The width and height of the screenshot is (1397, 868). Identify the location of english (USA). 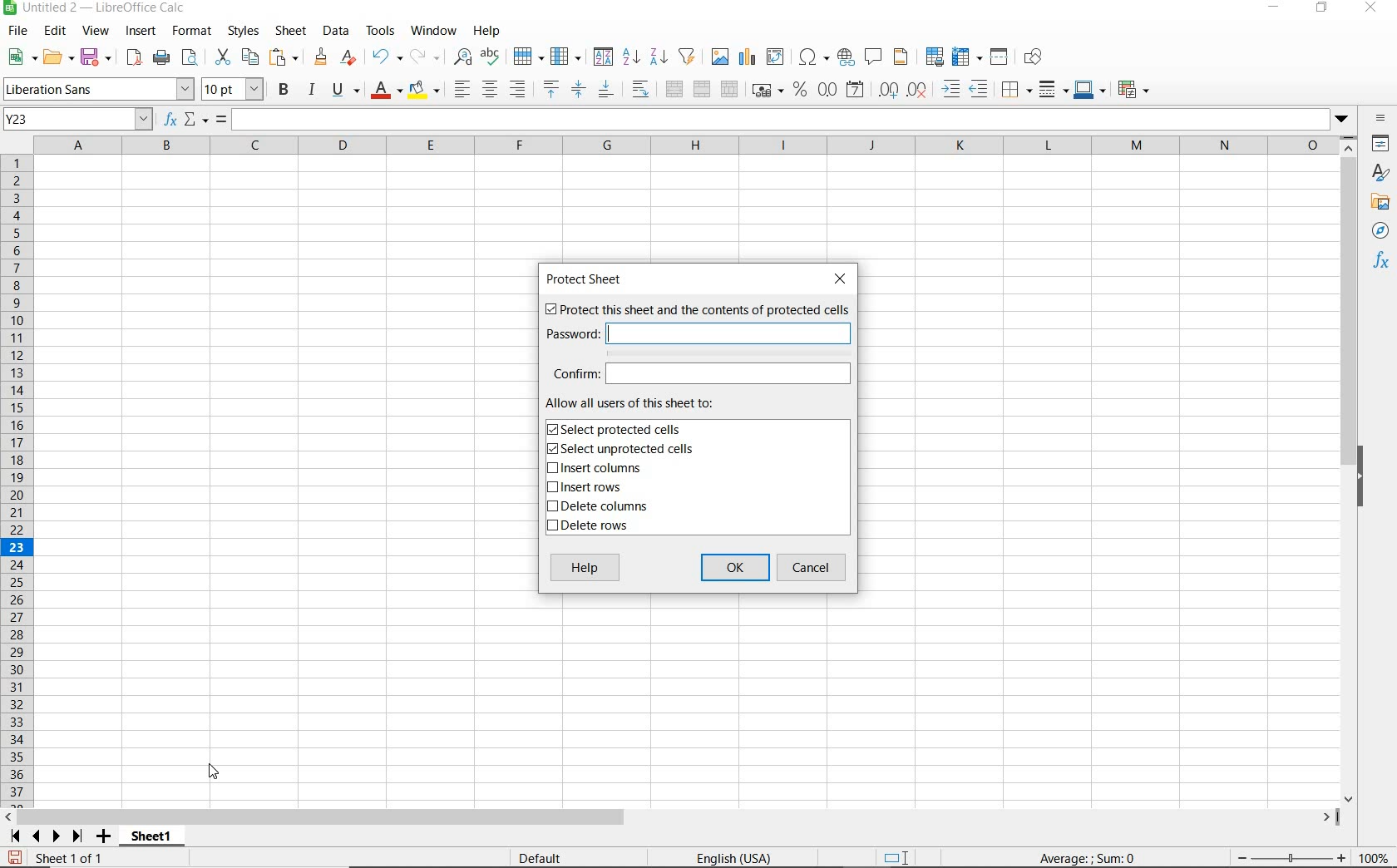
(743, 857).